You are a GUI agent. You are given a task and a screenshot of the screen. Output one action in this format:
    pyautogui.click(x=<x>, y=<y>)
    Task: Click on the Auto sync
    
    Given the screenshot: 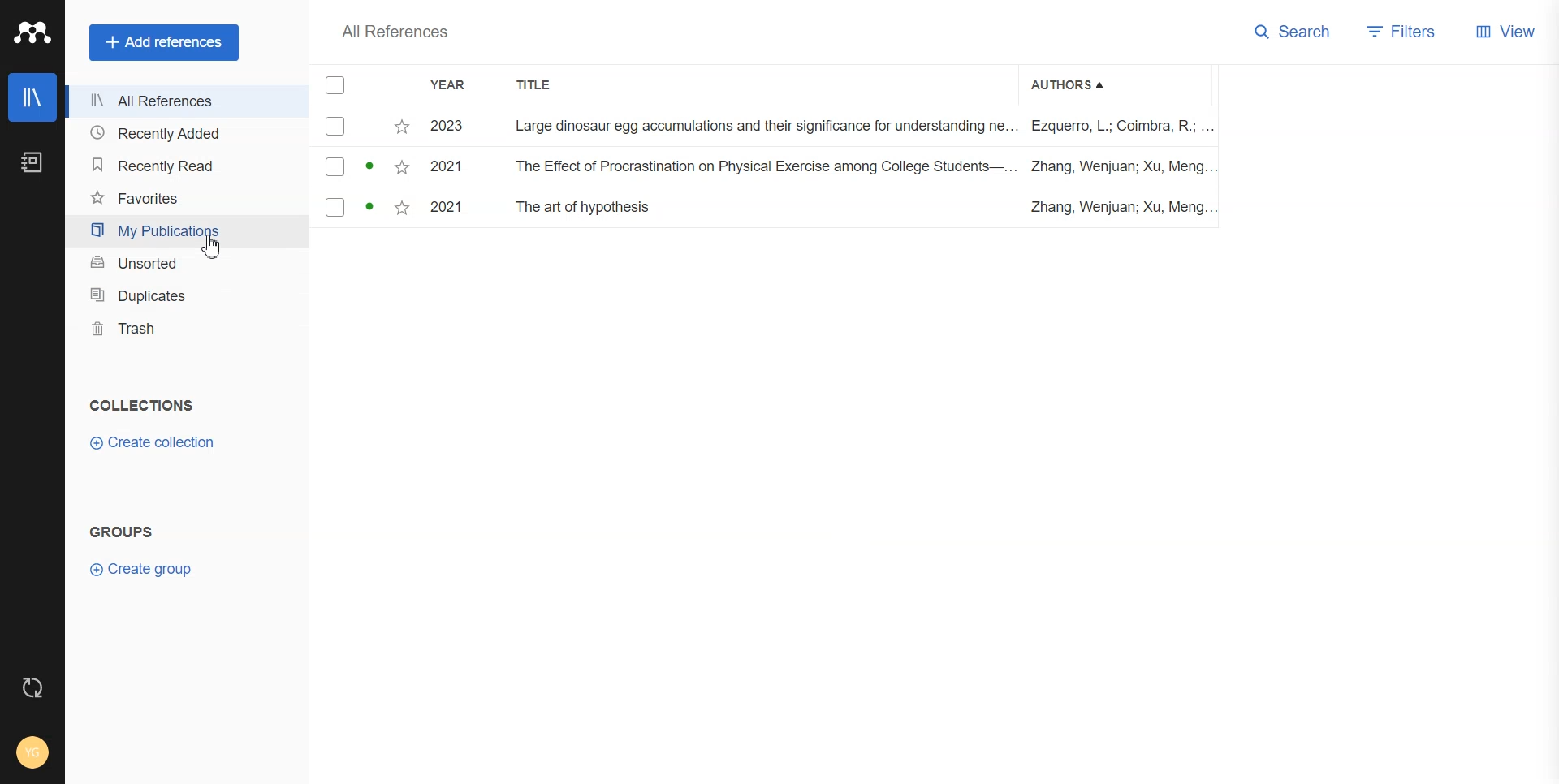 What is the action you would take?
    pyautogui.click(x=31, y=687)
    